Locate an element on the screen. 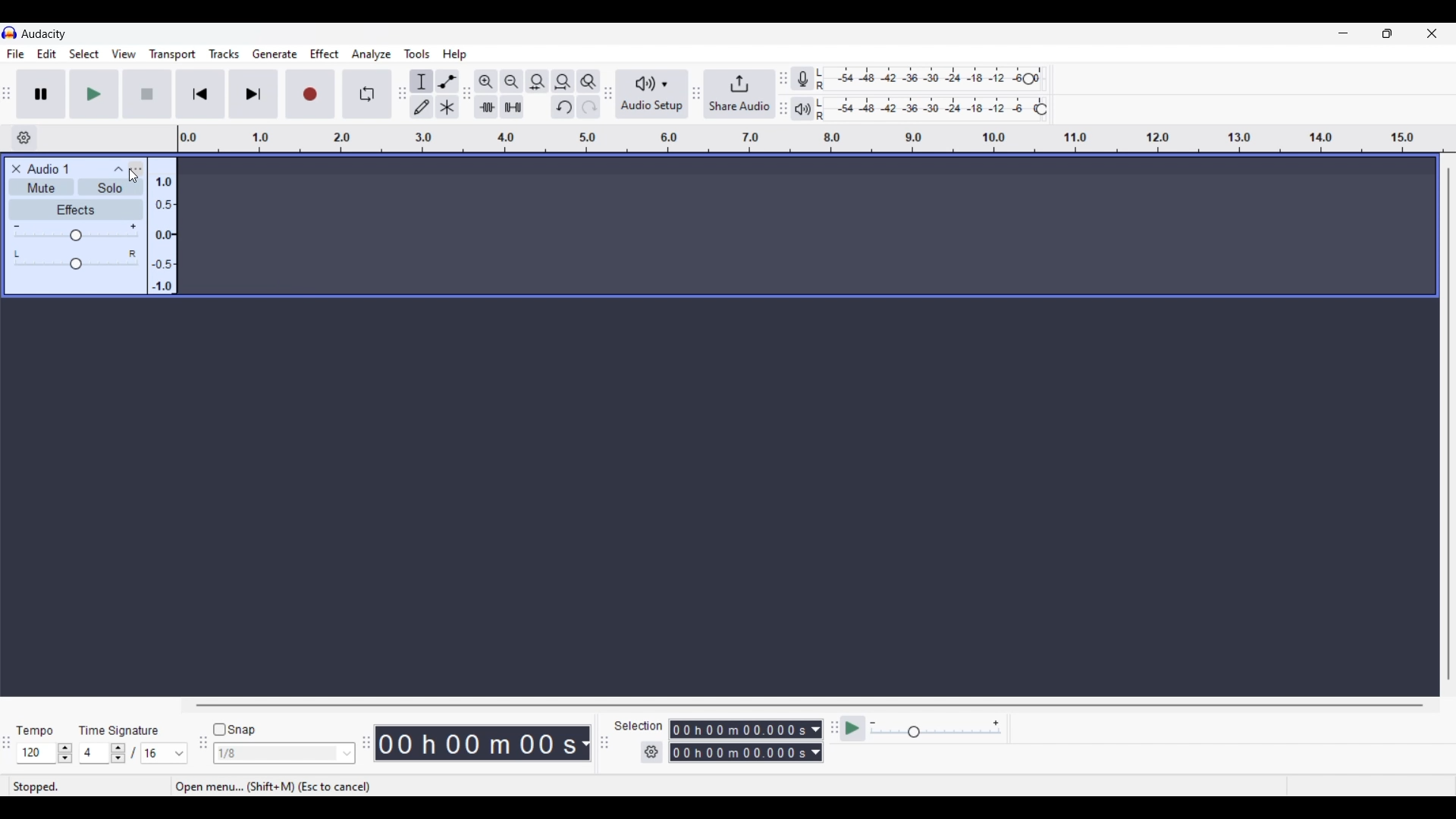  File menu is located at coordinates (15, 54).